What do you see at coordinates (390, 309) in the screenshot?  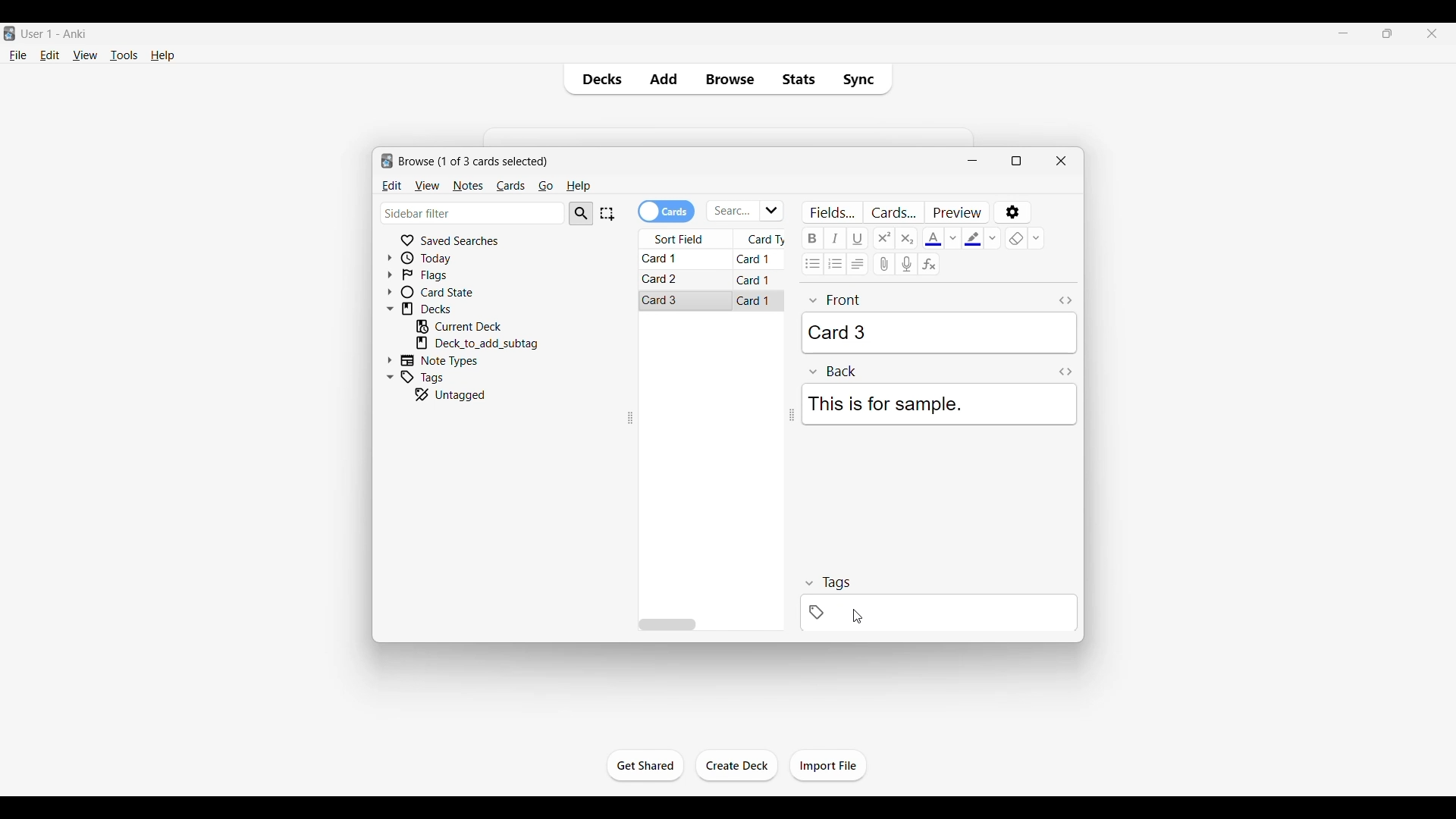 I see `Click to collapse Decks` at bounding box center [390, 309].